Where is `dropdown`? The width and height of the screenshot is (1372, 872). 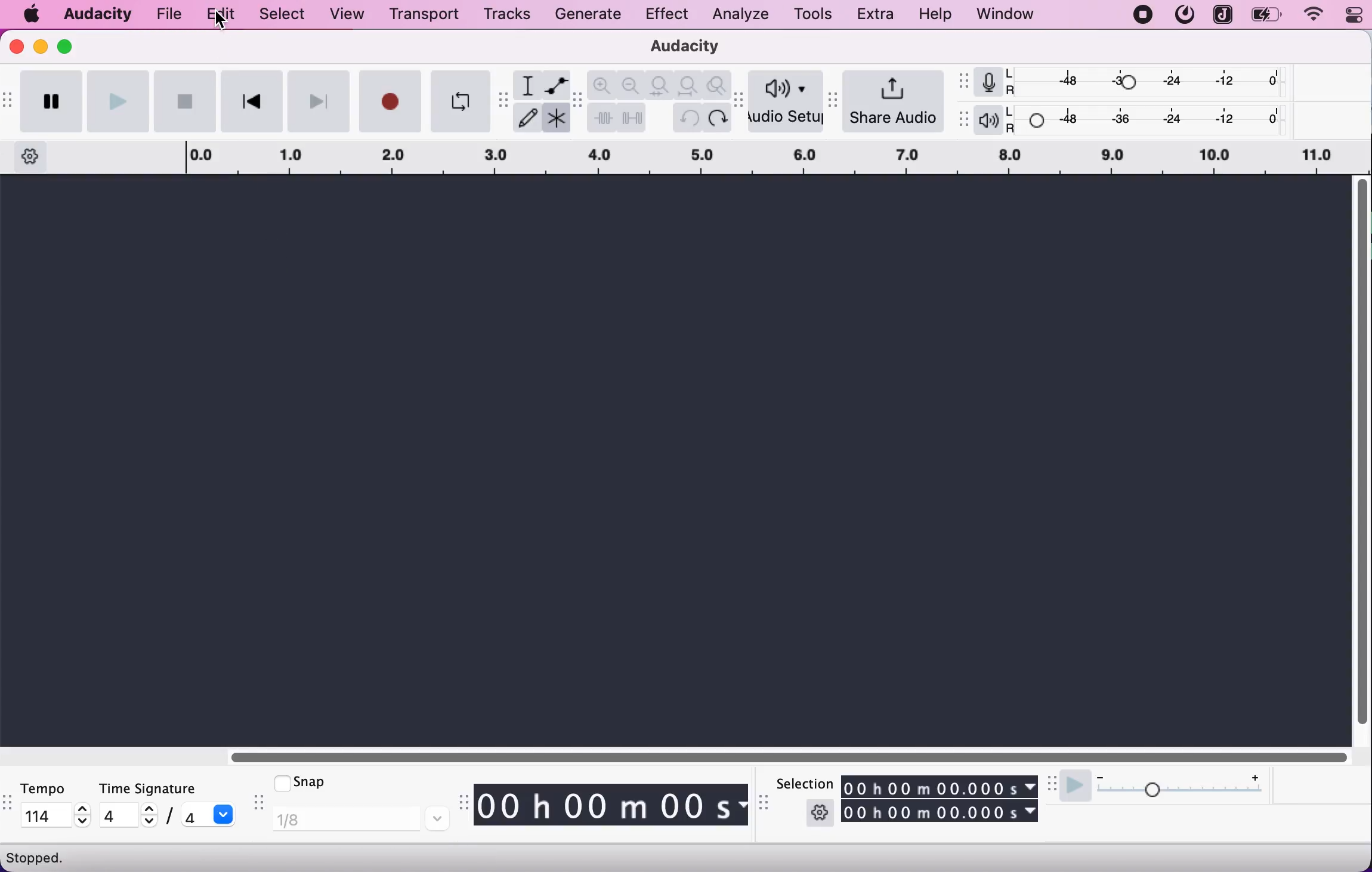
dropdown is located at coordinates (225, 814).